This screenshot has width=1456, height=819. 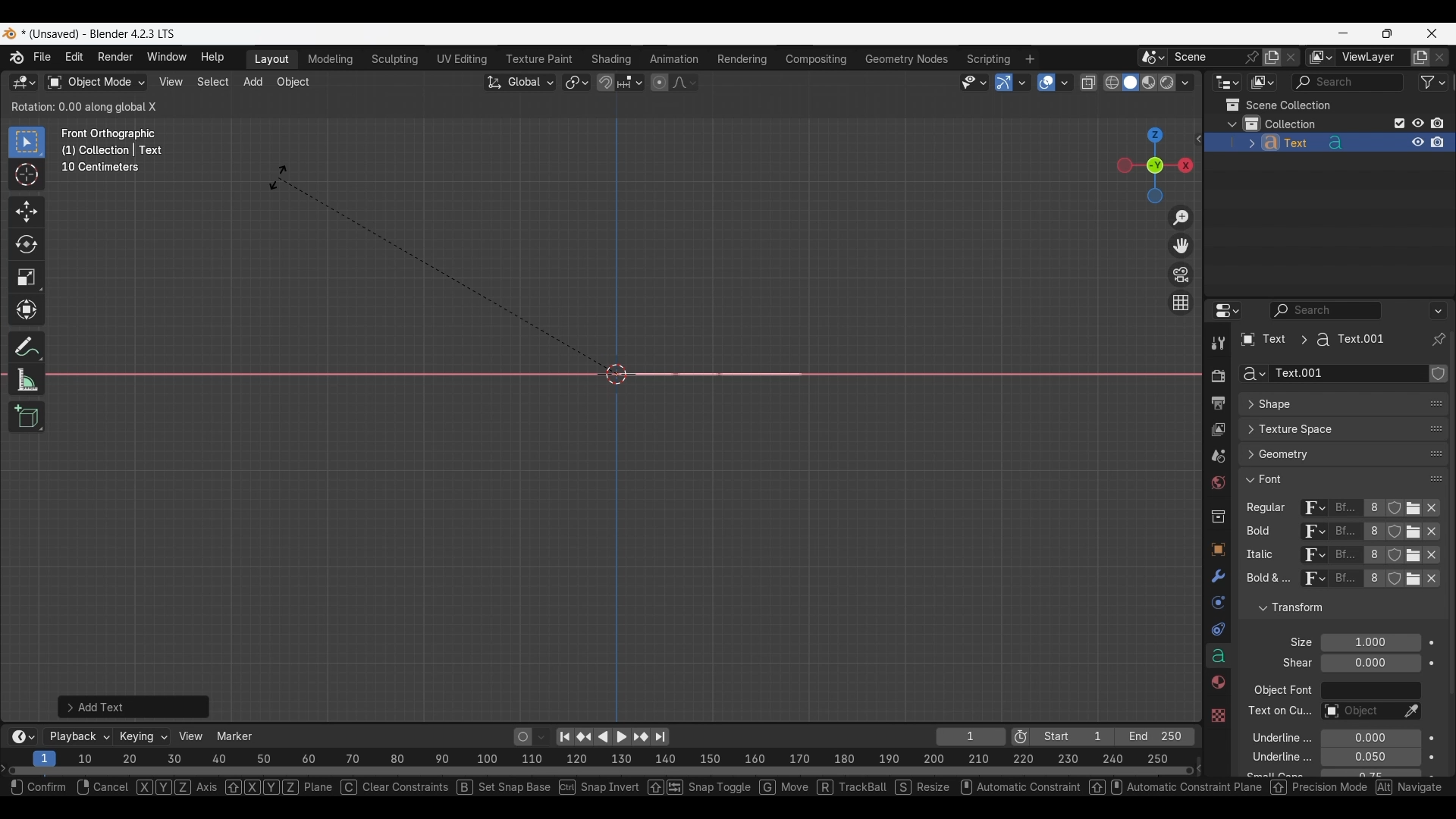 What do you see at coordinates (1324, 790) in the screenshot?
I see `precision mode` at bounding box center [1324, 790].